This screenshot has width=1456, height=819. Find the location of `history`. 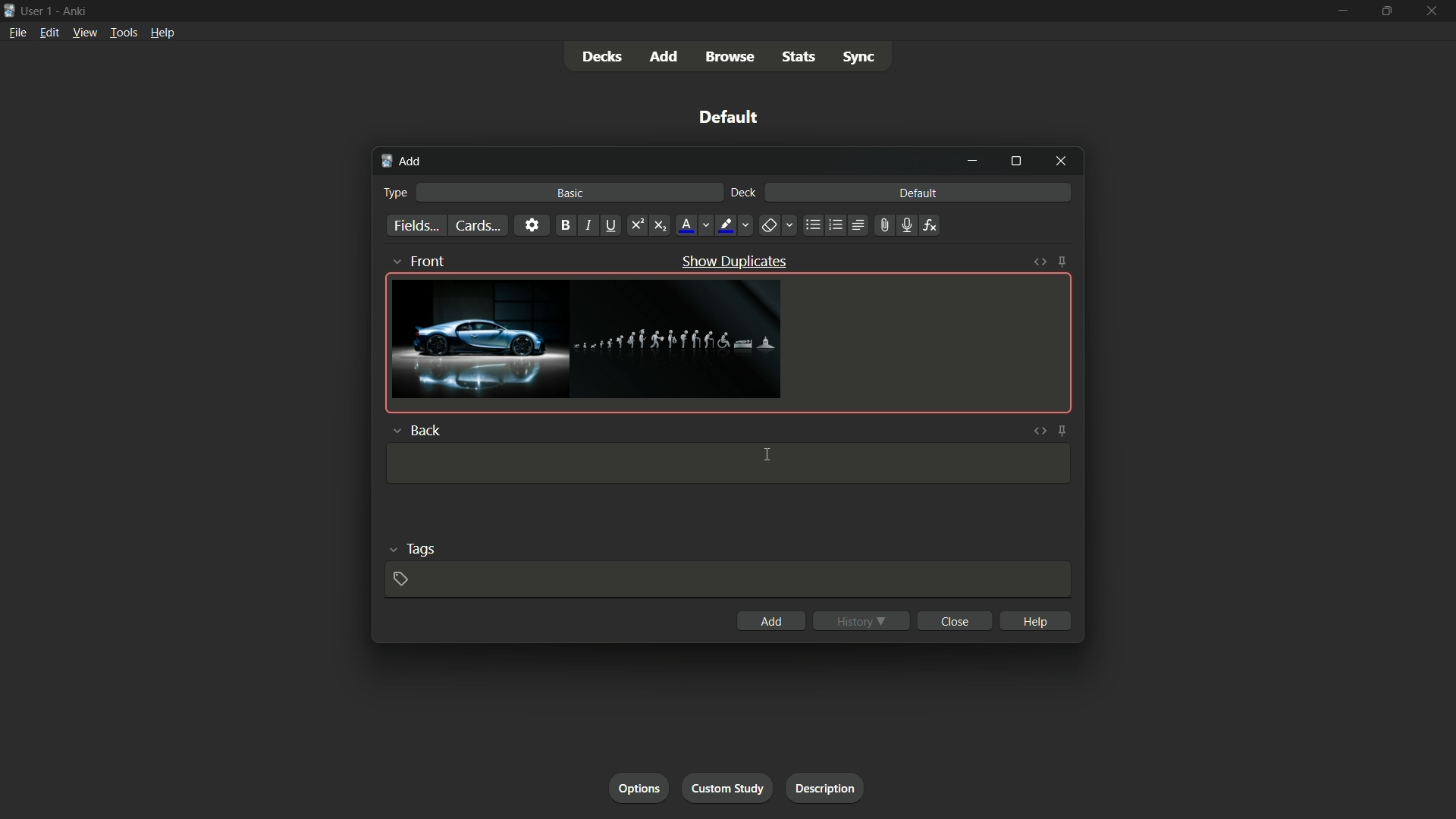

history is located at coordinates (862, 621).